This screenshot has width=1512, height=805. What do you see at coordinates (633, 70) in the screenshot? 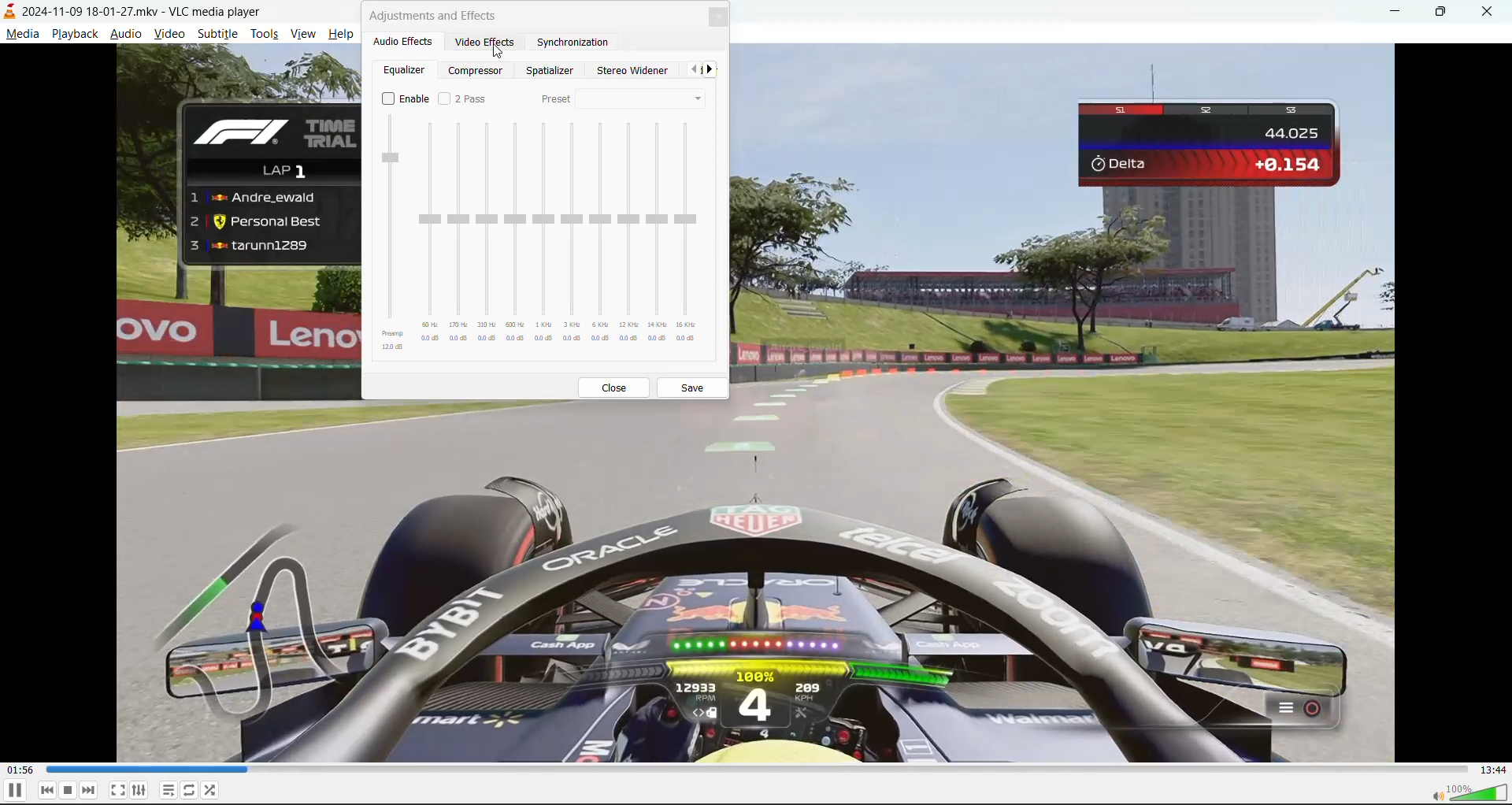
I see `stereo widener` at bounding box center [633, 70].